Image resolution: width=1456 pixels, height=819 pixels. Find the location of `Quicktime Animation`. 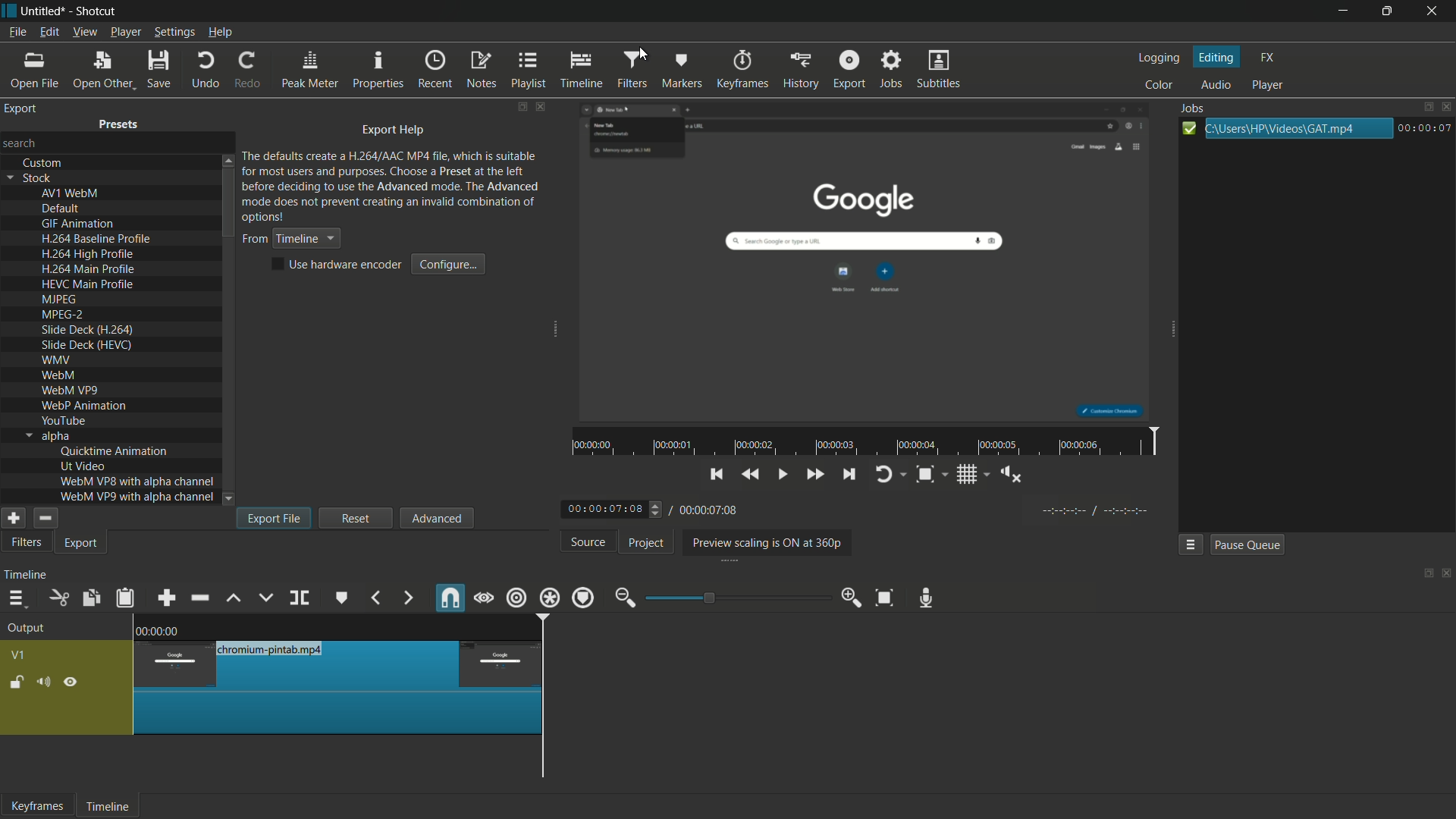

Quicktime Animation is located at coordinates (121, 451).